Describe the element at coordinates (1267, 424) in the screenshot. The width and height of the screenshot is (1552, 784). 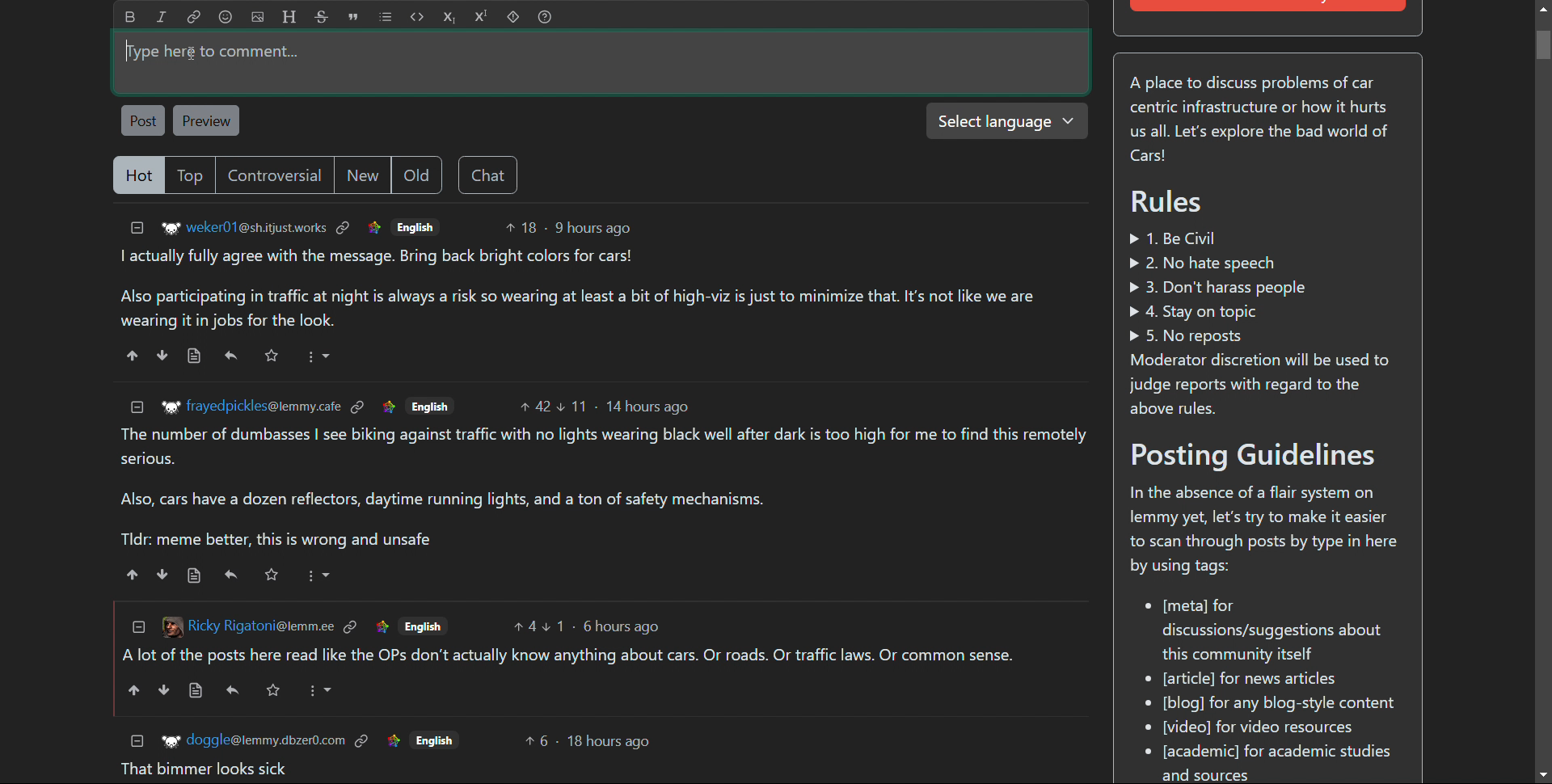
I see `A place to discuss problems of car
centric infrastructure or how it hurts
us all. Let's explore the bad world of
Cars!

Rules

» 1. Be Civil

» 2. No hate speech

» 3. Don't harass people

> 4. Stay on topic

» 5. No reposts

Moderator discretion will be used to
judge reports with regard to the
above rules.

Posting Guidelines
In the absence of a flair system on
lemmy yet, let's try to make it easier
to scan through posts by type in here
by using tags:

* [meta] for
discussions/suggestions about
this community itself

eo [article] for news articles

[blog] for any blog-style content

* [video] for video resources

* [academic] for academic studies
and sources` at that location.